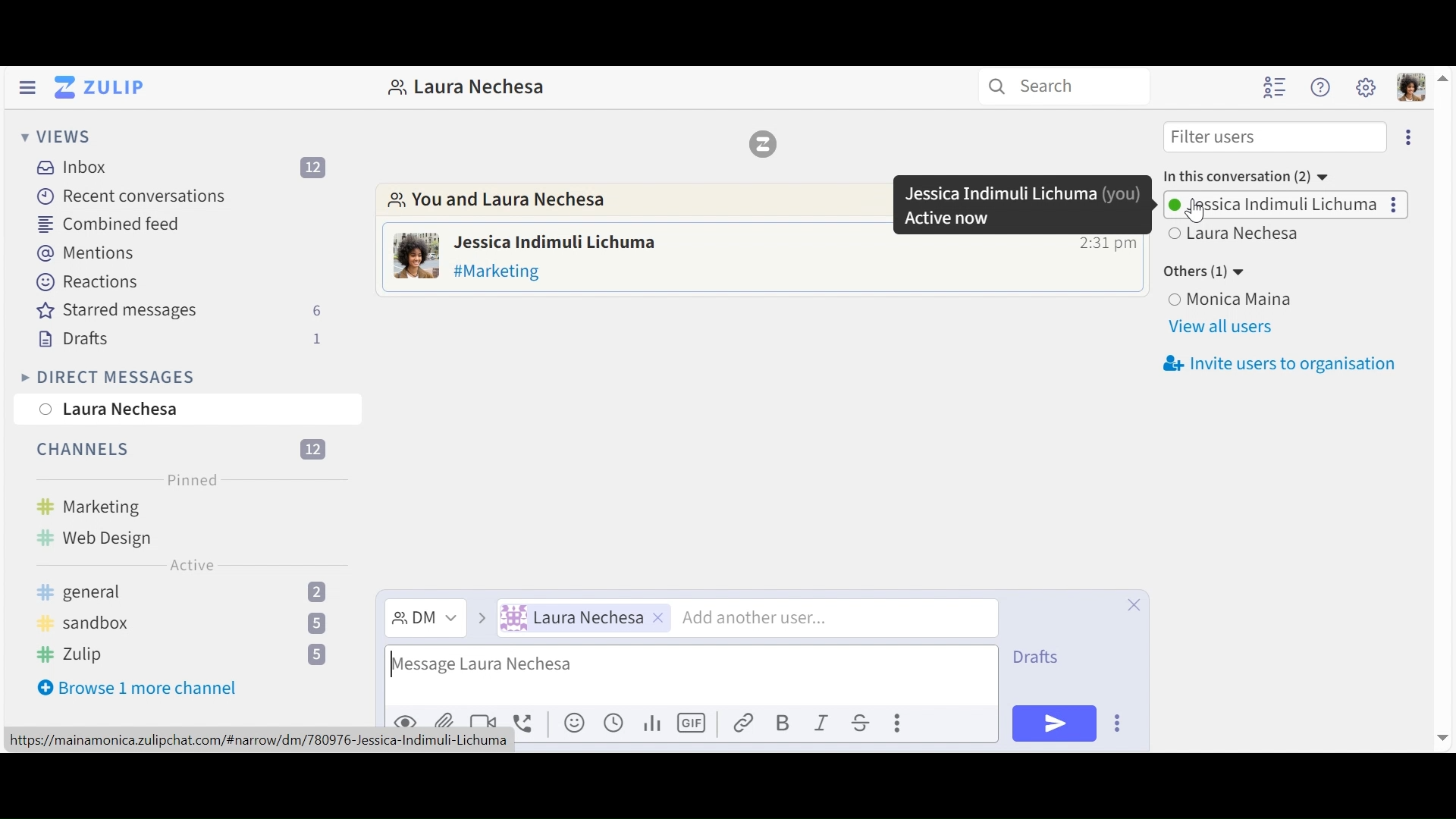 The height and width of the screenshot is (819, 1456). Describe the element at coordinates (1287, 205) in the screenshot. I see `Users` at that location.